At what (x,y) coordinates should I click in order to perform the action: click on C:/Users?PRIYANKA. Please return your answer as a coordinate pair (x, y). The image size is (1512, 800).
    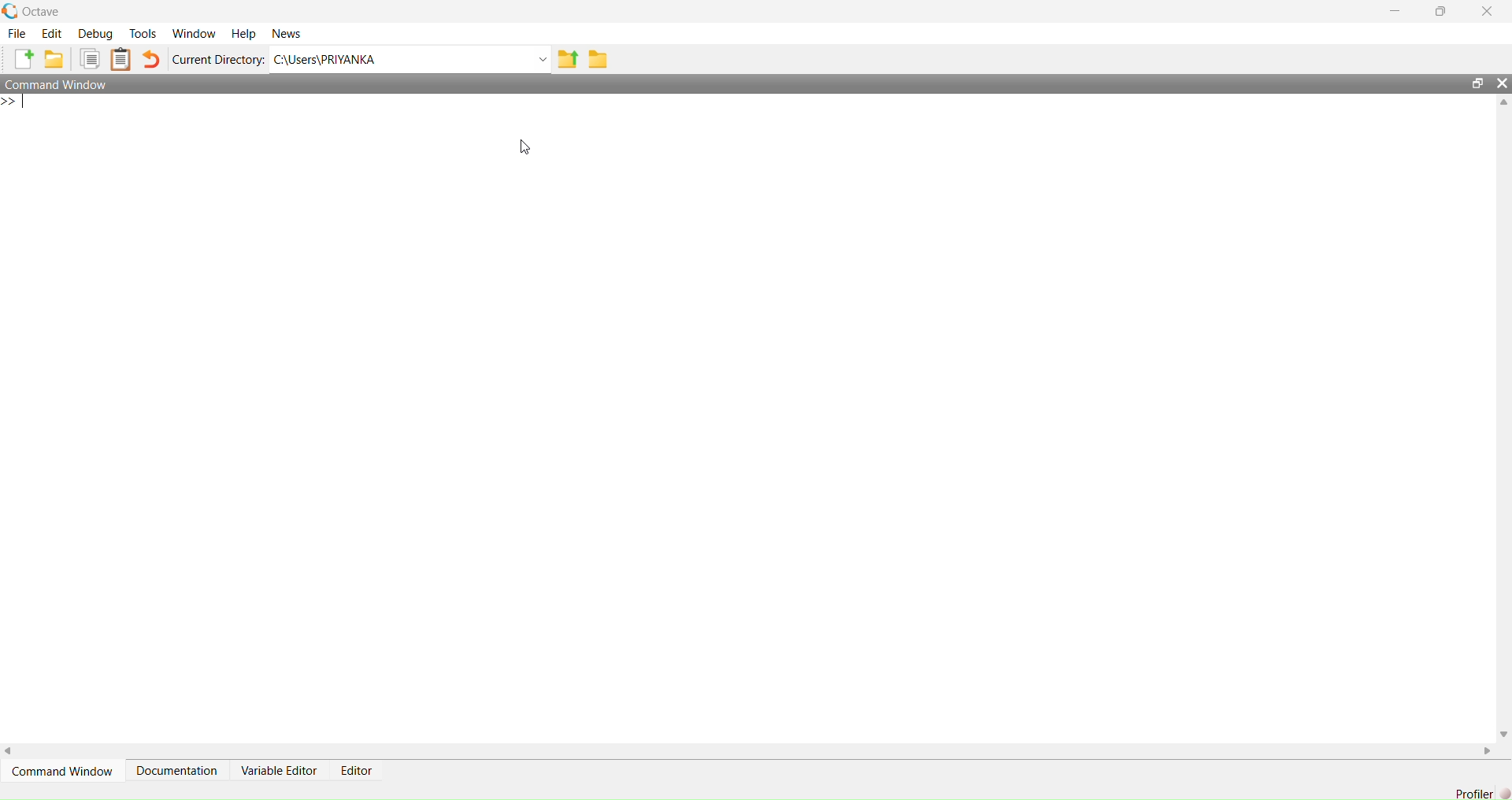
    Looking at the image, I should click on (400, 59).